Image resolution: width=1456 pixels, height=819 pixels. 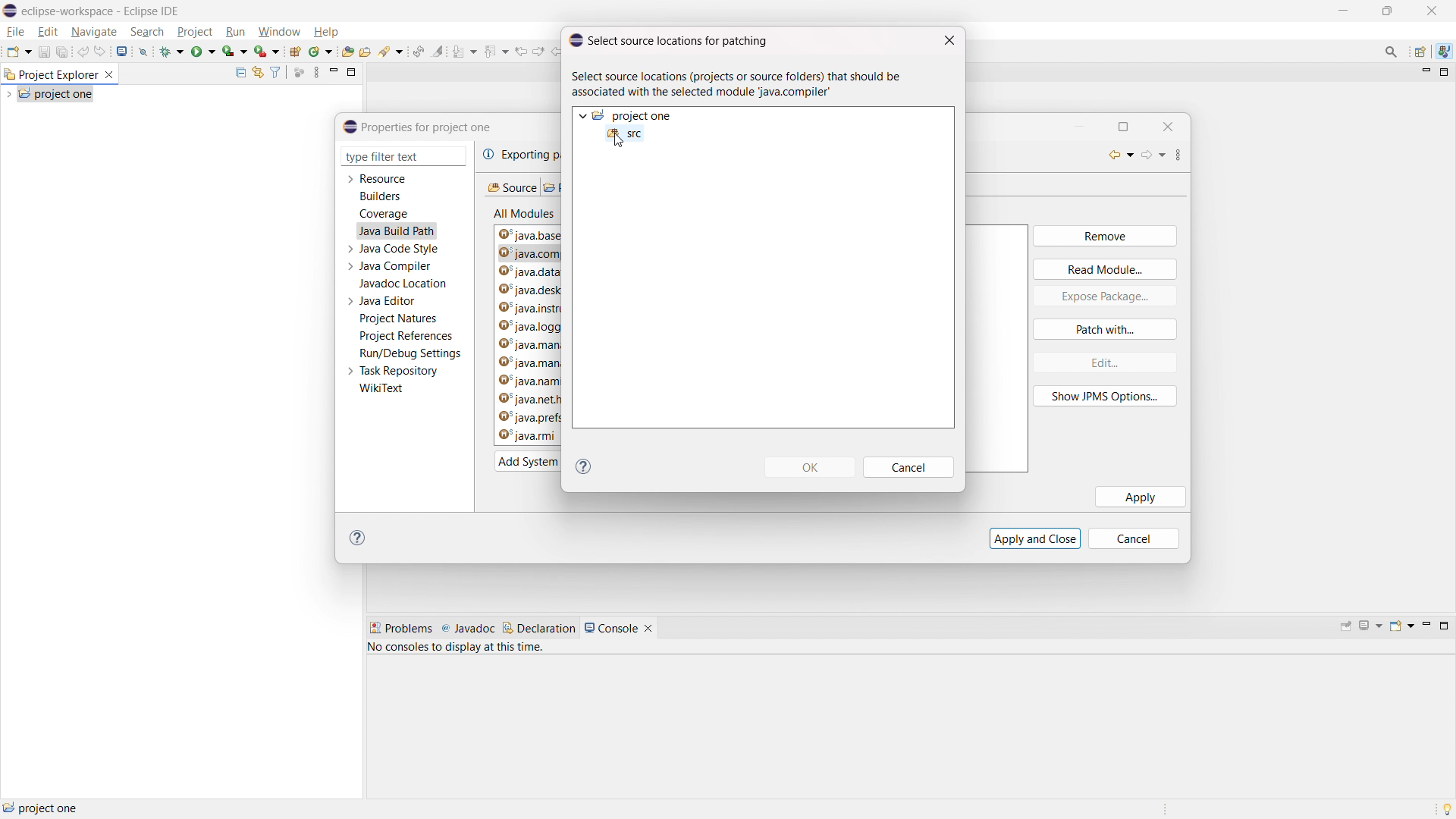 I want to click on edit, so click(x=1103, y=362).